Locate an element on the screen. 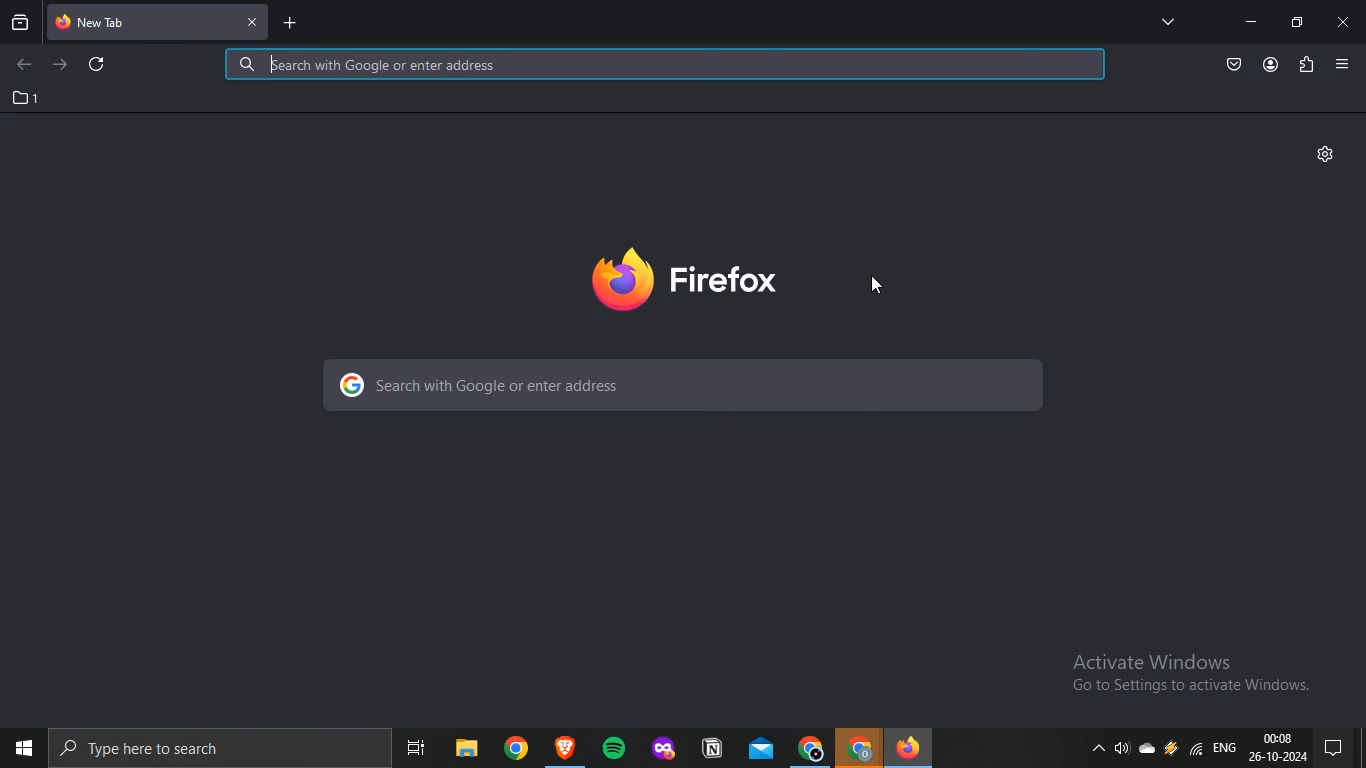 The image size is (1366, 768). dropdown is located at coordinates (1092, 750).